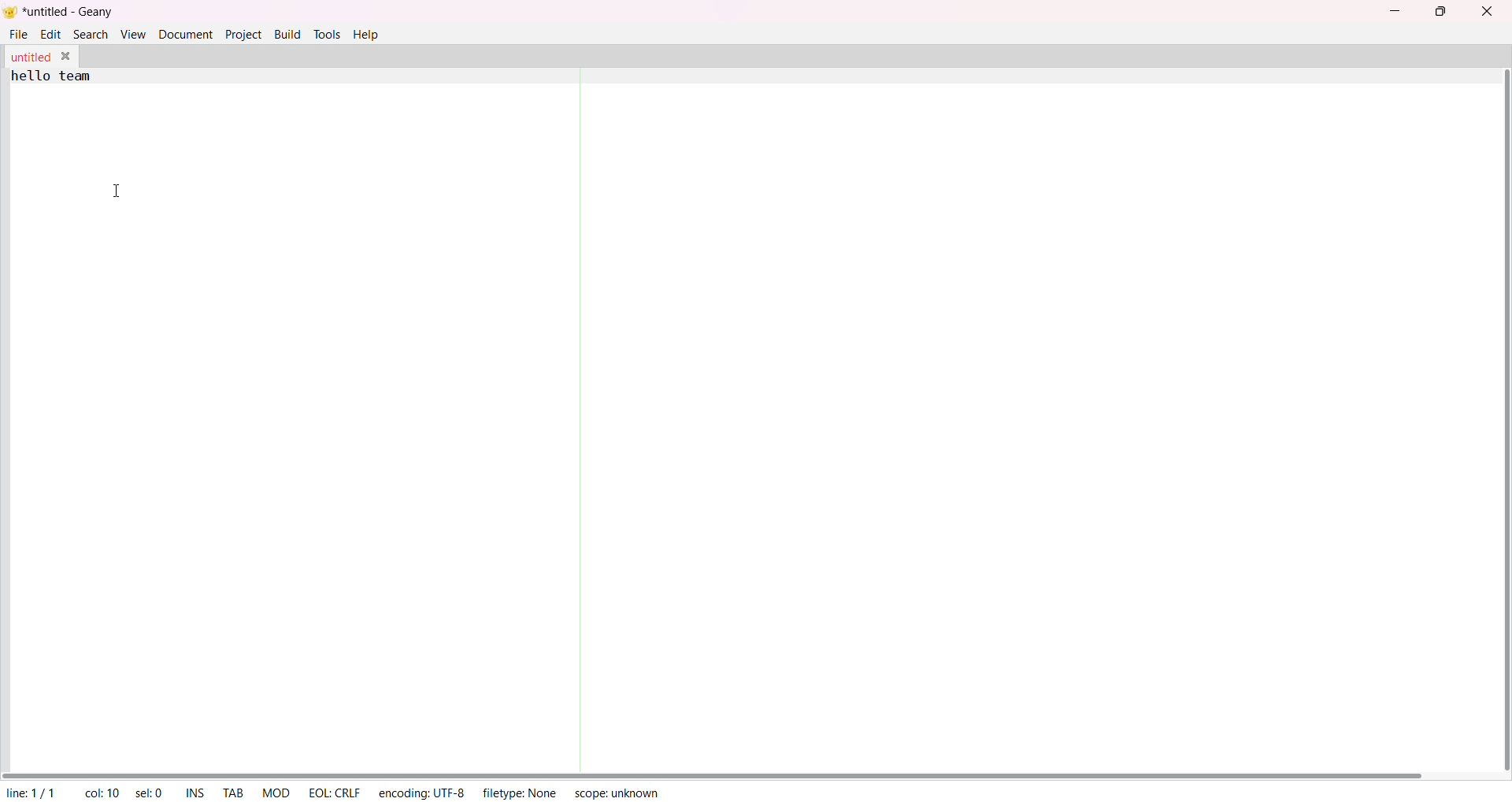 This screenshot has height=802, width=1512. What do you see at coordinates (70, 13) in the screenshot?
I see `untitled - geany` at bounding box center [70, 13].